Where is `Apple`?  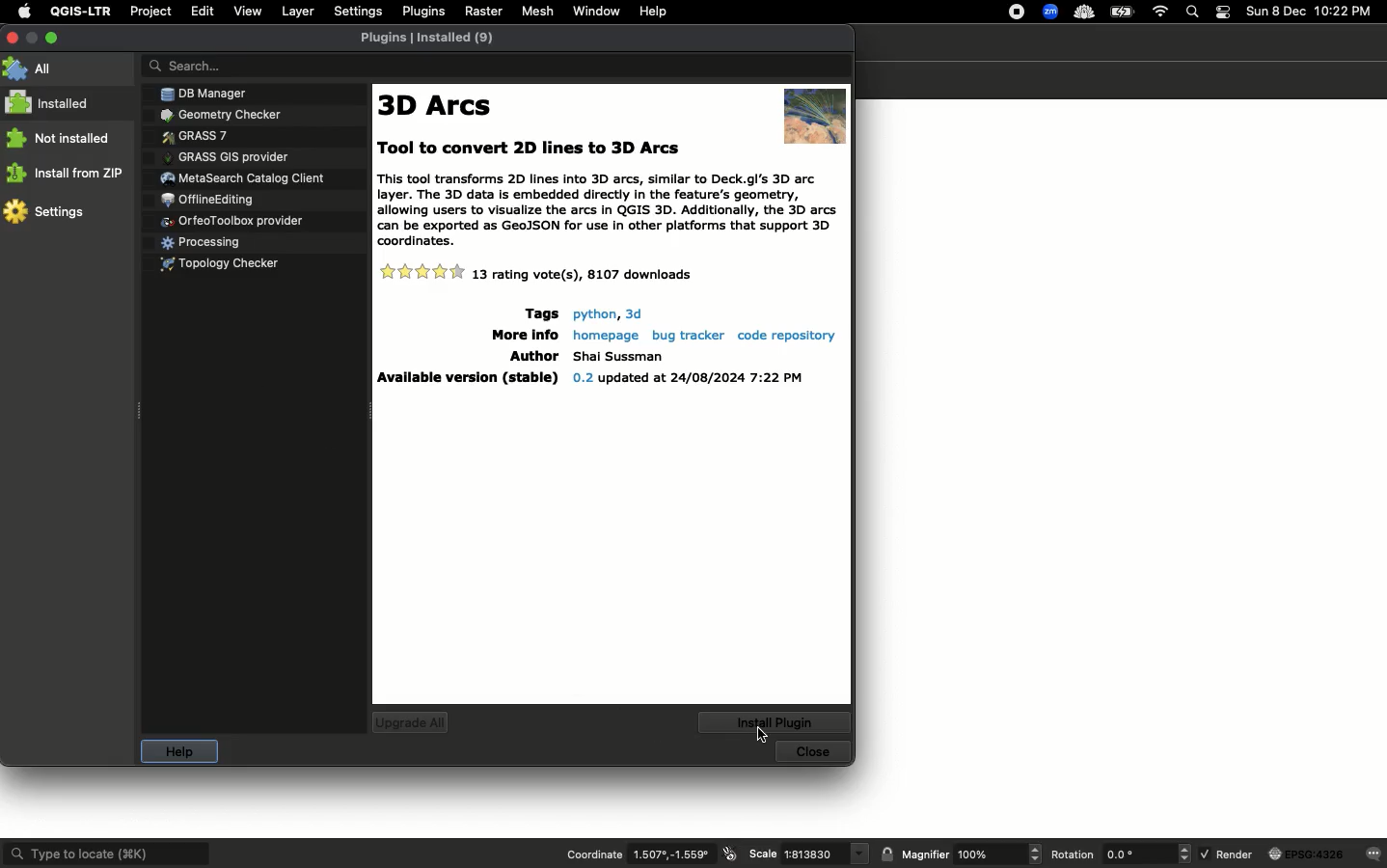 Apple is located at coordinates (21, 12).